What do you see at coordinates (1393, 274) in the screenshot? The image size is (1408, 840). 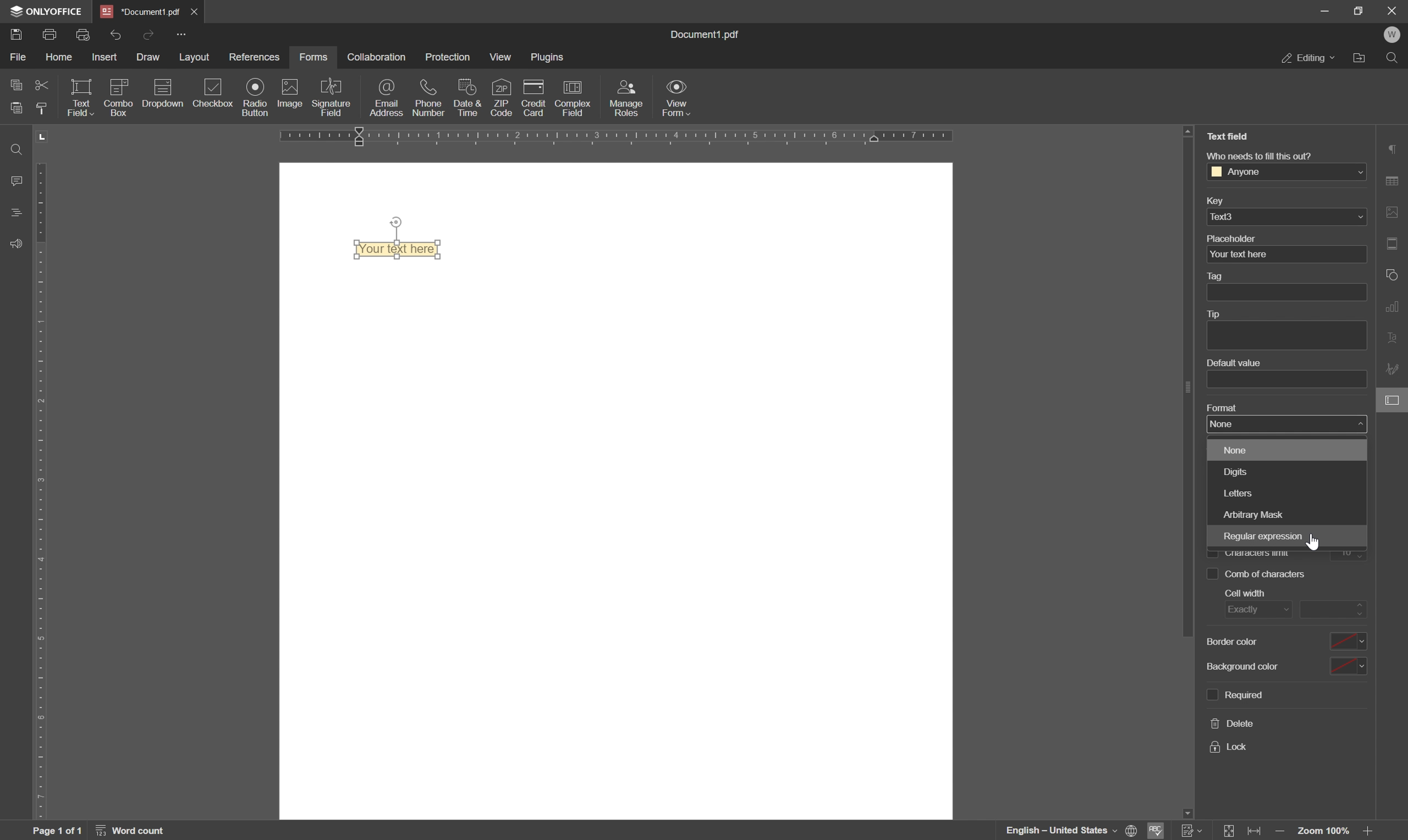 I see `shape settings` at bounding box center [1393, 274].